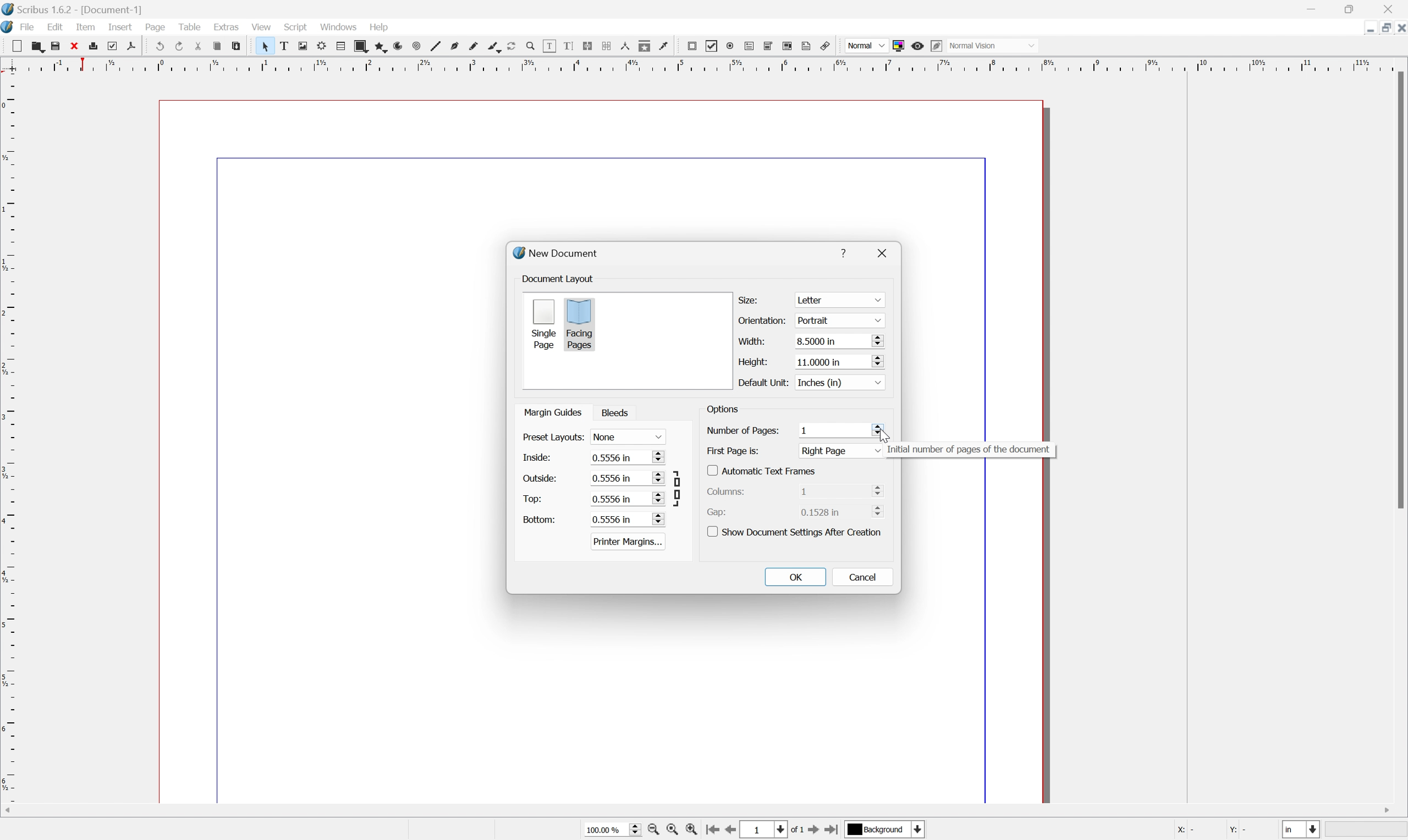 This screenshot has width=1408, height=840. I want to click on inches (in), so click(838, 382).